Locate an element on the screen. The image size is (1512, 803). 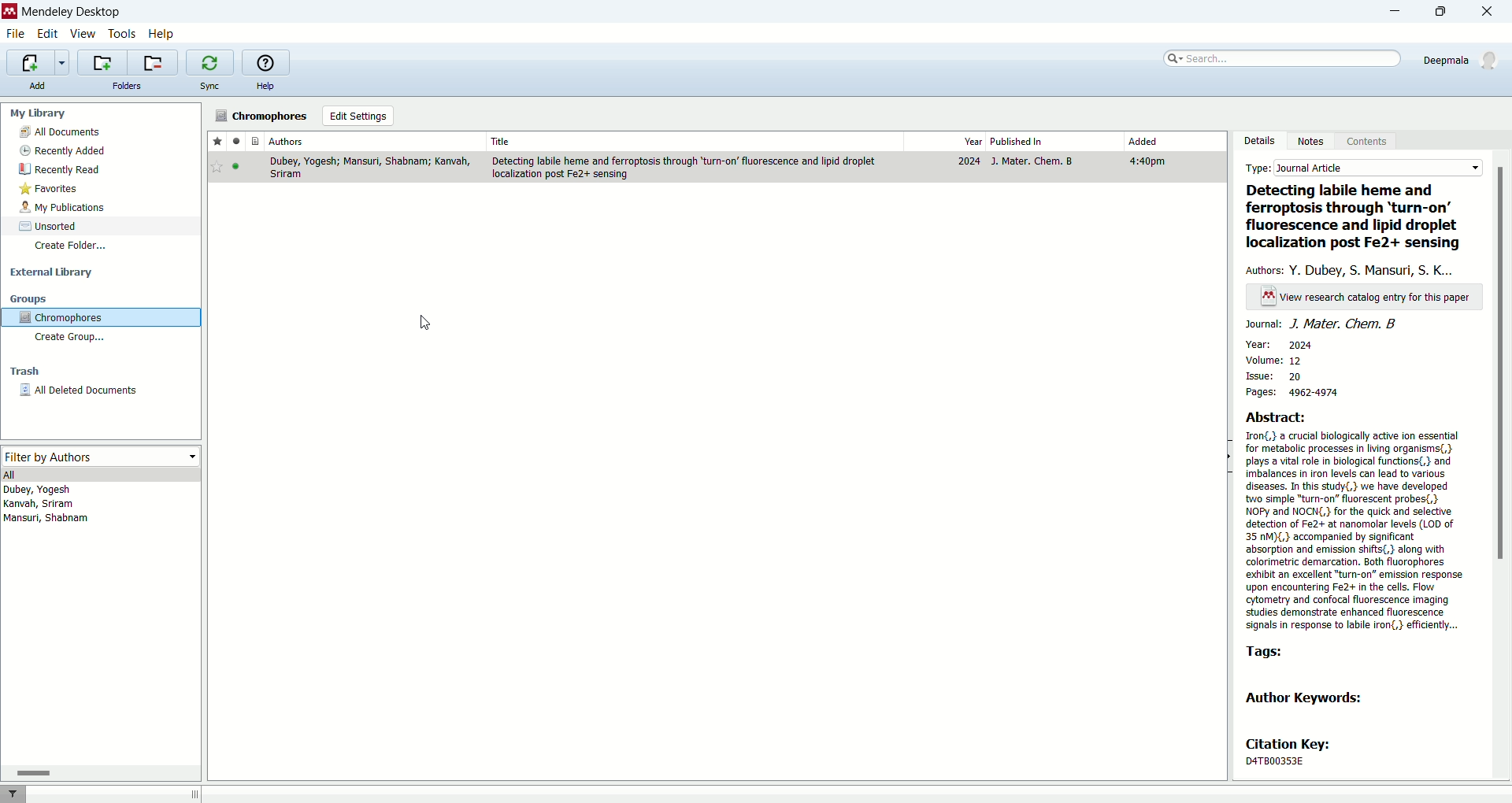
help is located at coordinates (161, 34).